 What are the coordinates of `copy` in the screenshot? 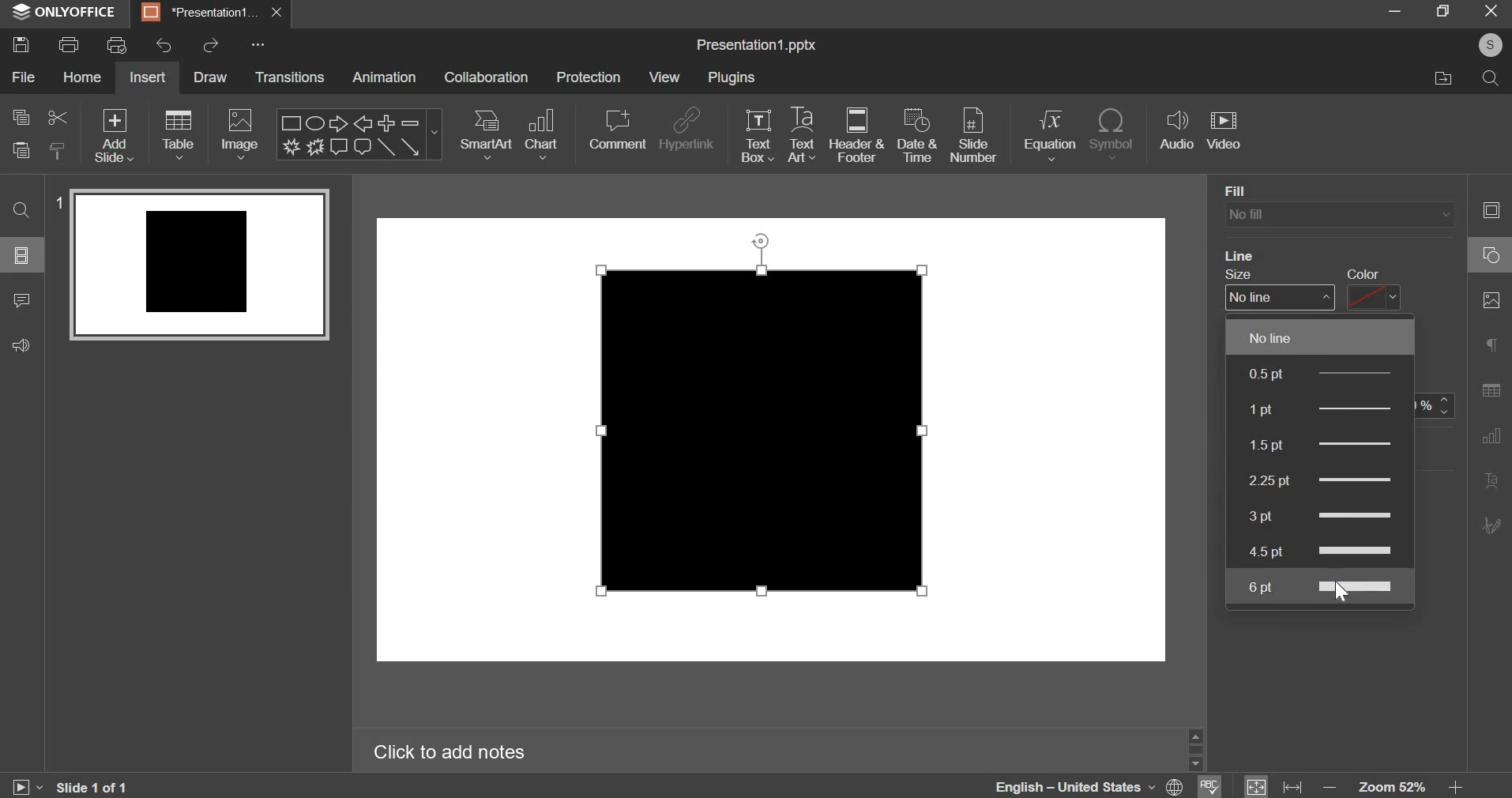 It's located at (22, 116).